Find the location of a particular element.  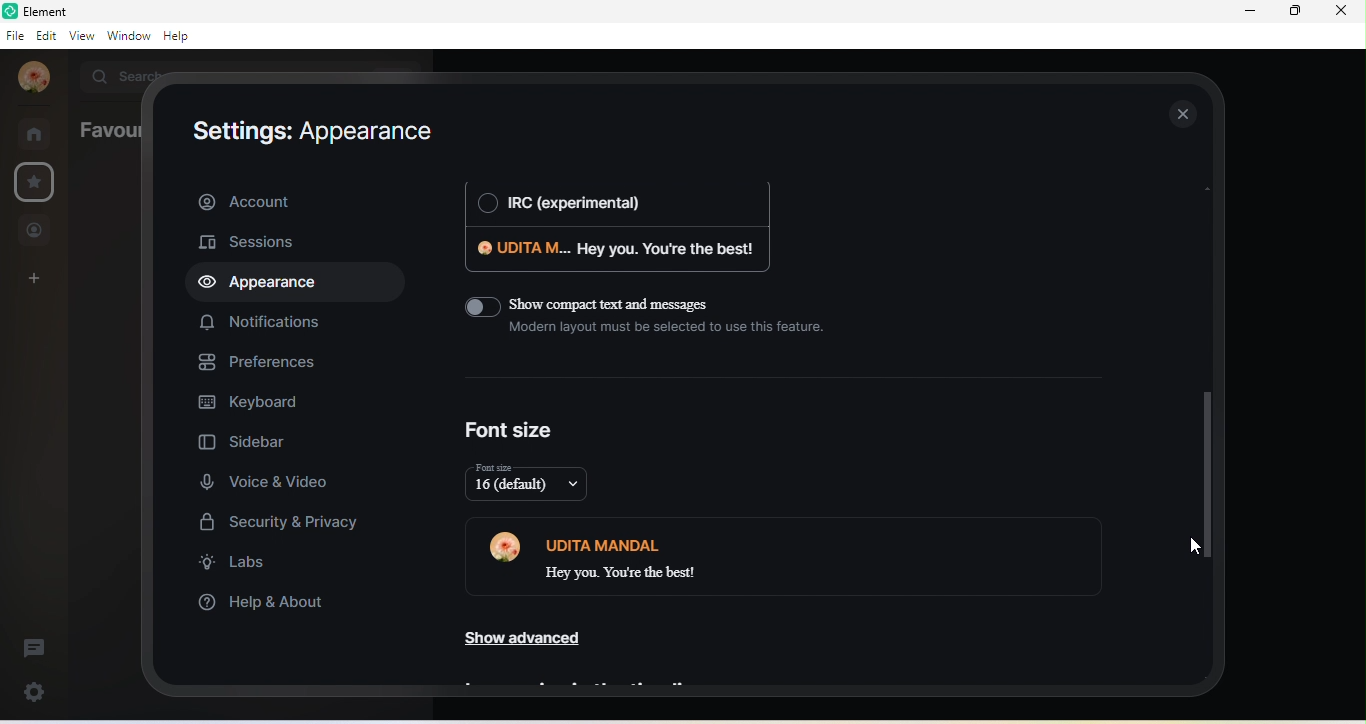

help is located at coordinates (178, 36).